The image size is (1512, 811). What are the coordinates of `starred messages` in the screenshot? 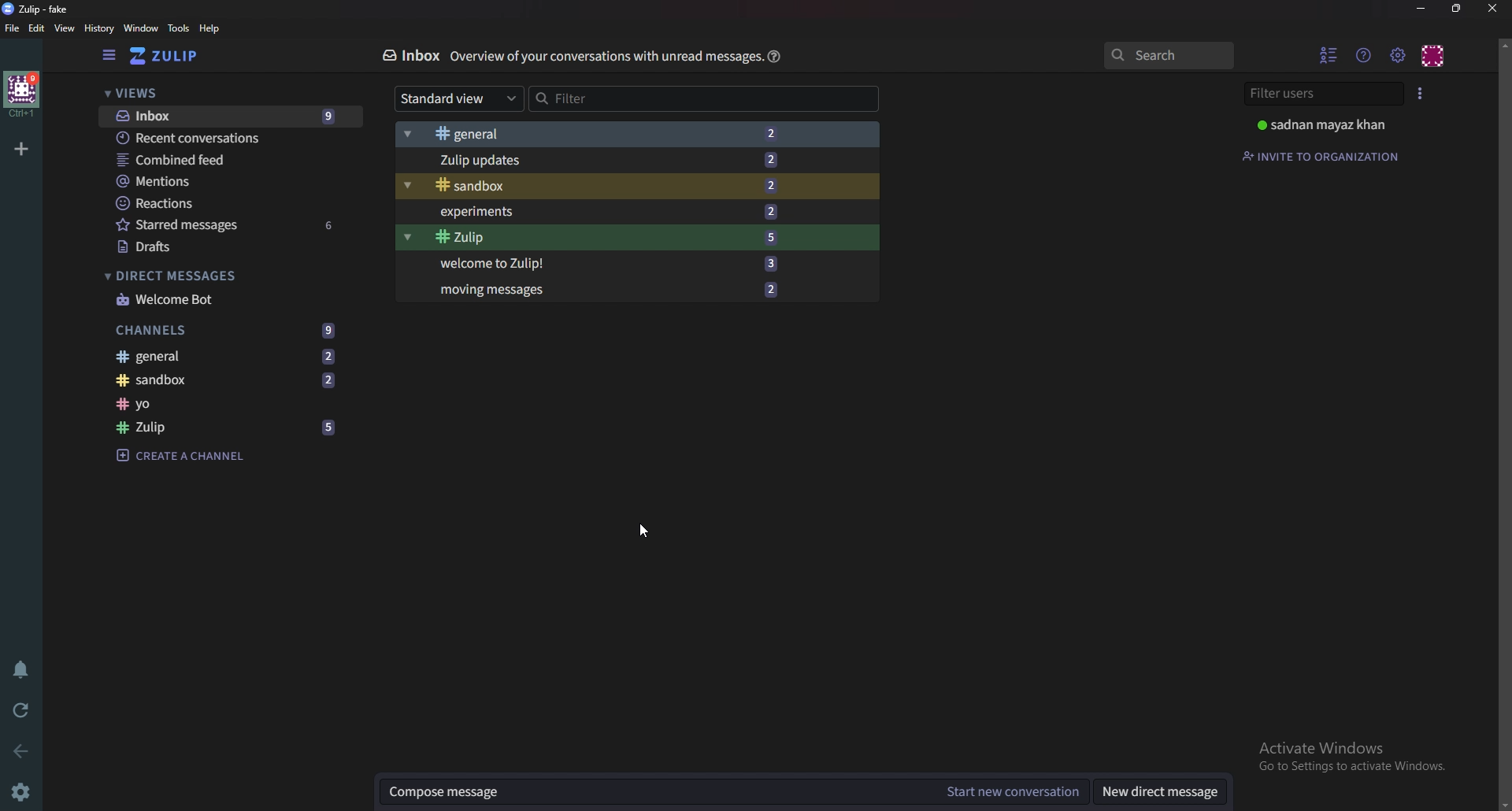 It's located at (221, 226).